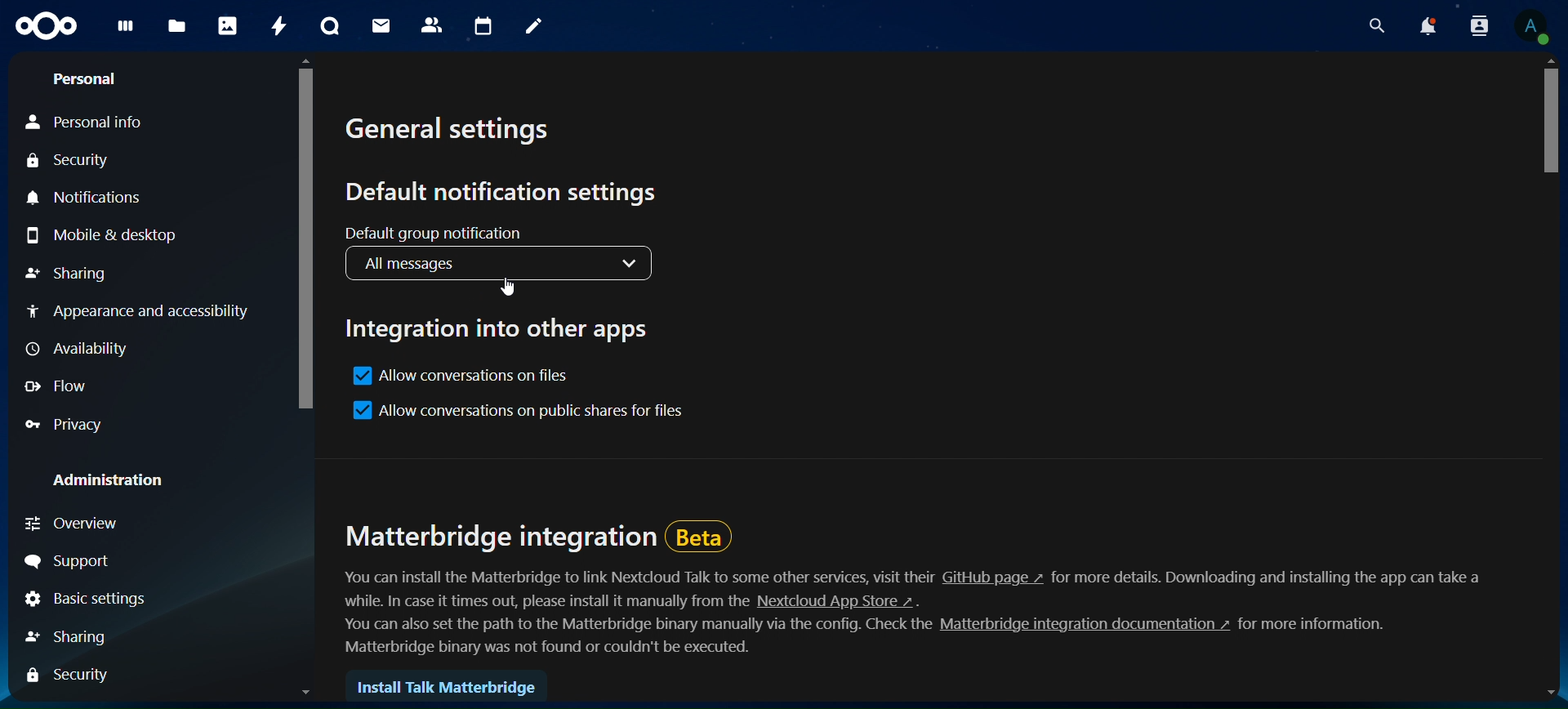 The height and width of the screenshot is (709, 1568). Describe the element at coordinates (450, 686) in the screenshot. I see `install talk matterbridge` at that location.